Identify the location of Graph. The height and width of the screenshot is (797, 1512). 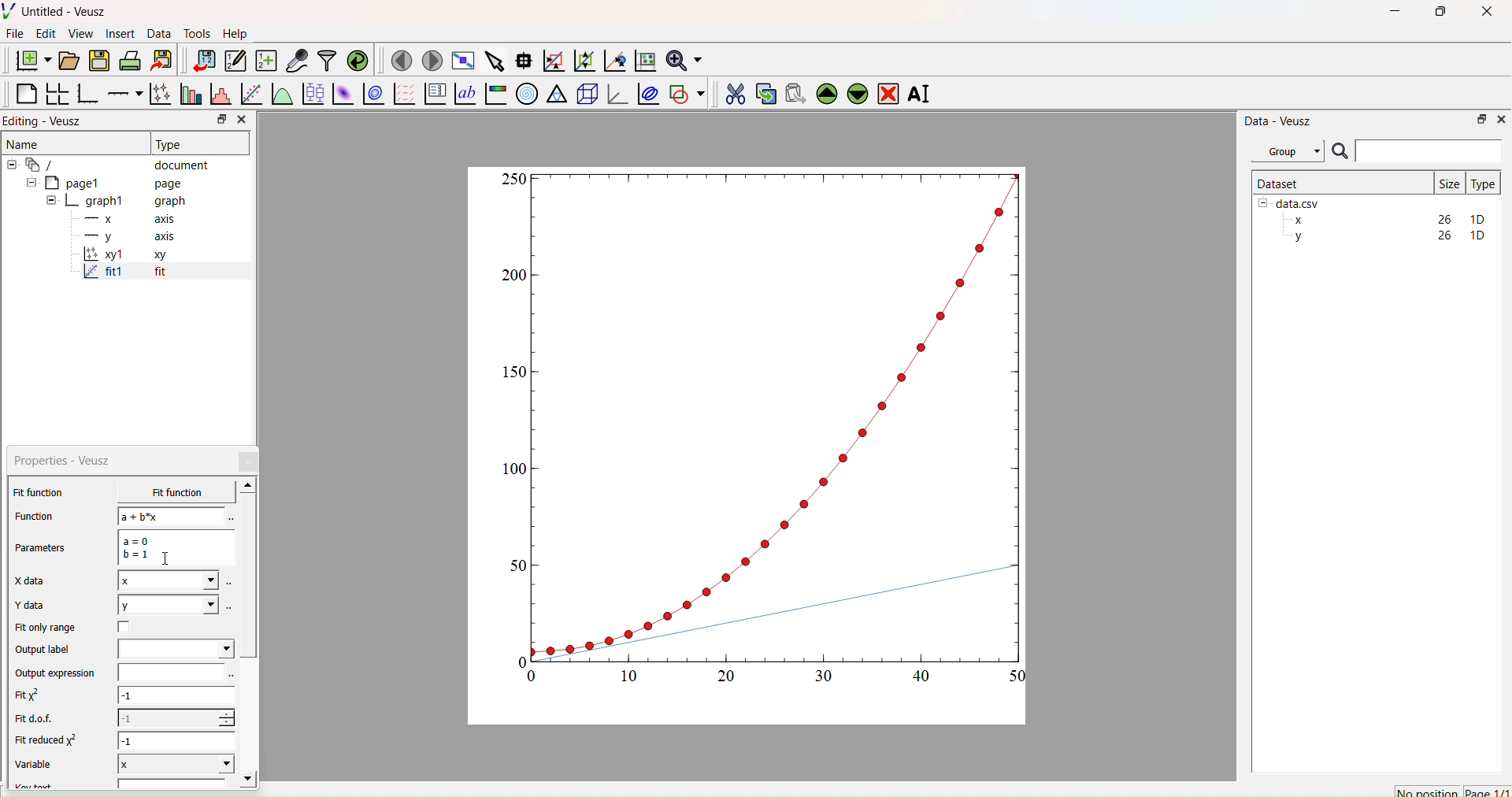
(766, 427).